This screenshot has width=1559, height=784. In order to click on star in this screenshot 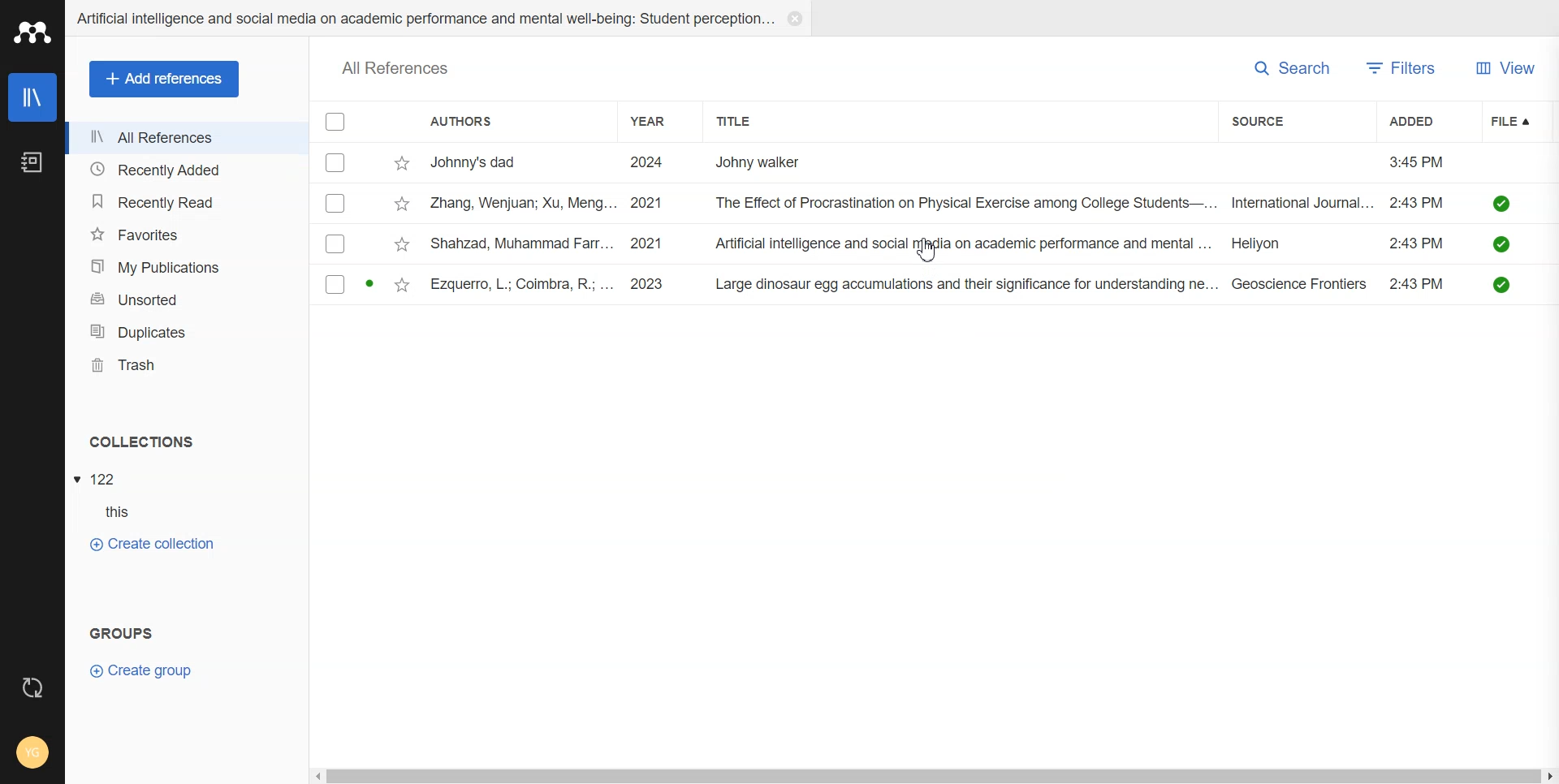, I will do `click(402, 164)`.